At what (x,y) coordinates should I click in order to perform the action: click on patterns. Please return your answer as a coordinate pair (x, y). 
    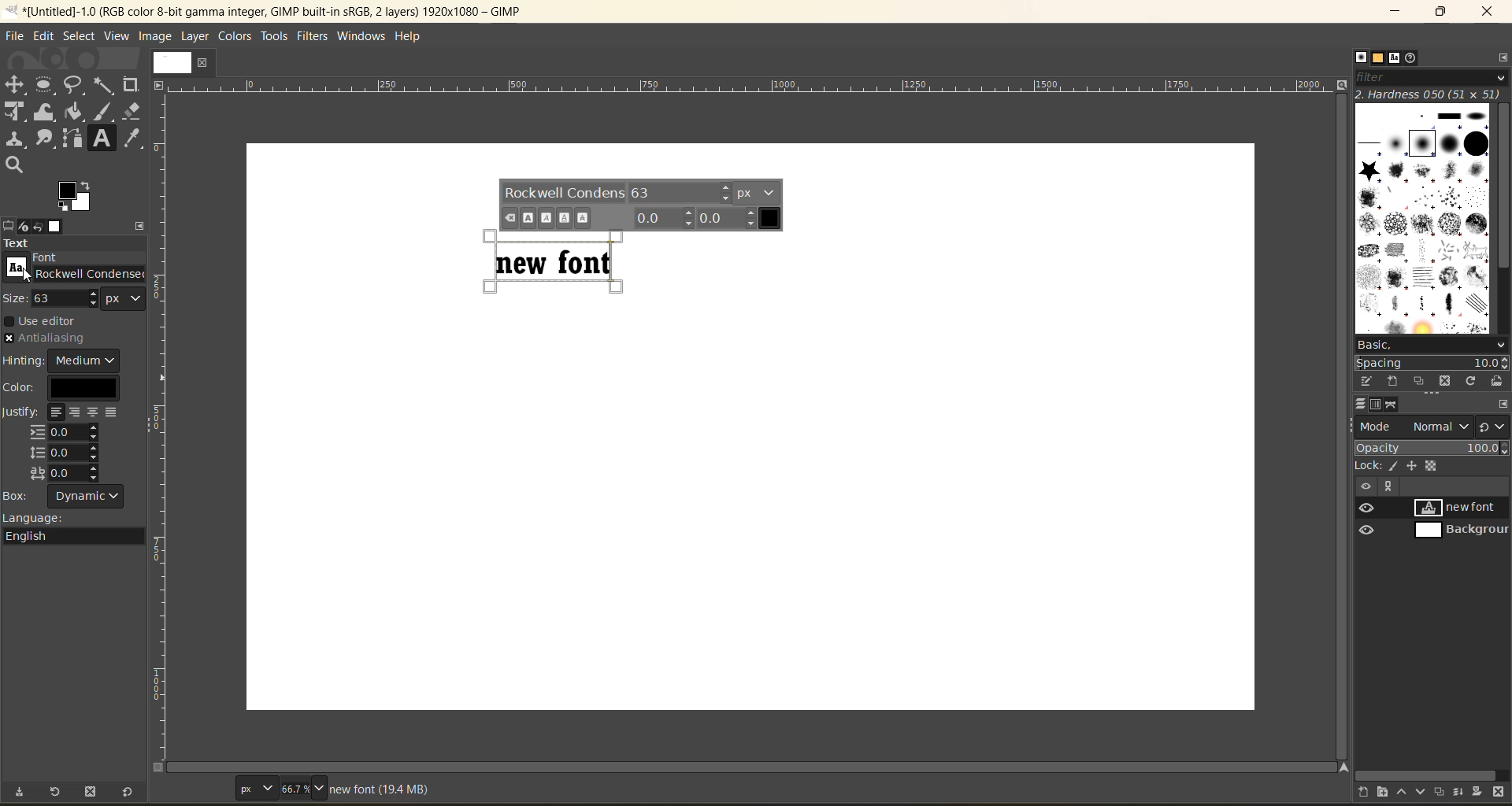
    Looking at the image, I should click on (1382, 58).